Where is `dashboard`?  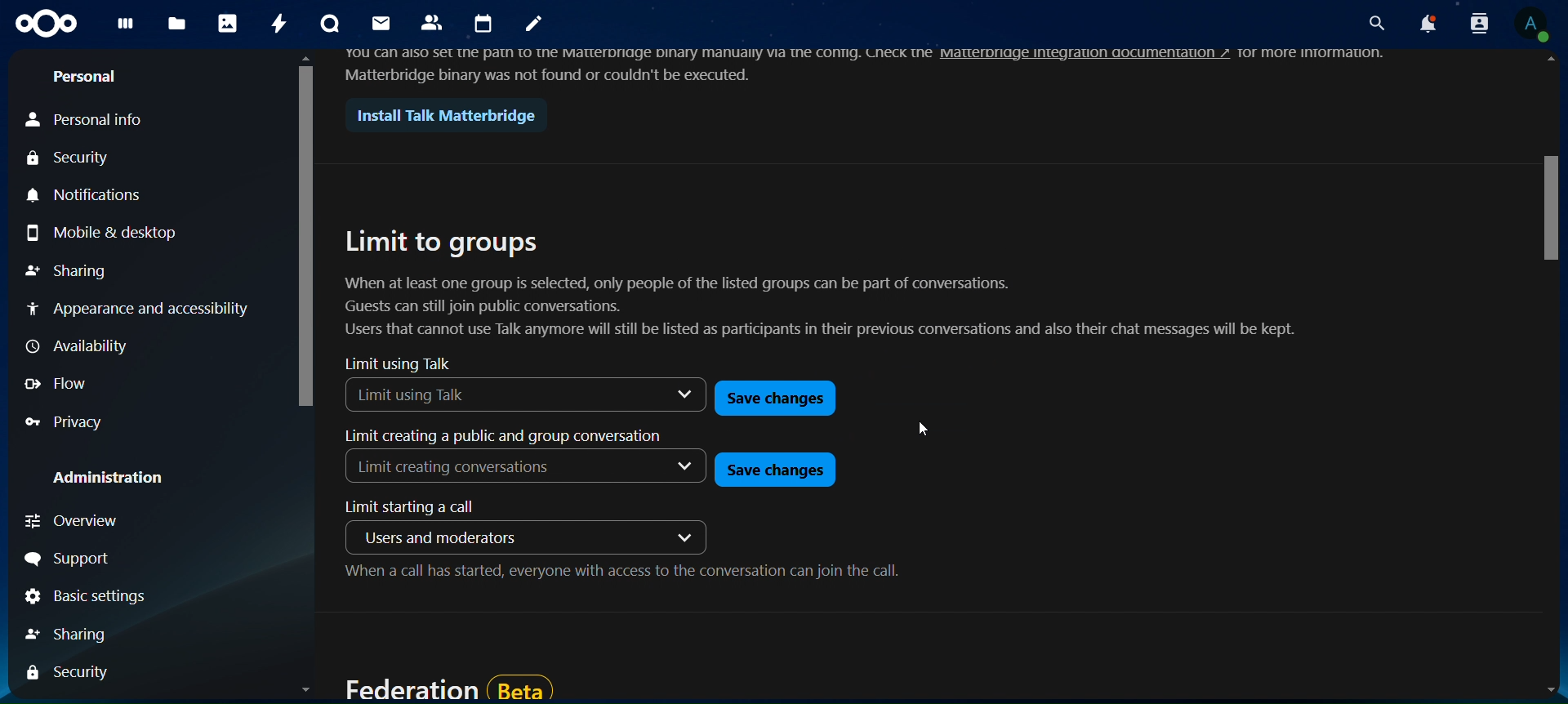 dashboard is located at coordinates (128, 28).